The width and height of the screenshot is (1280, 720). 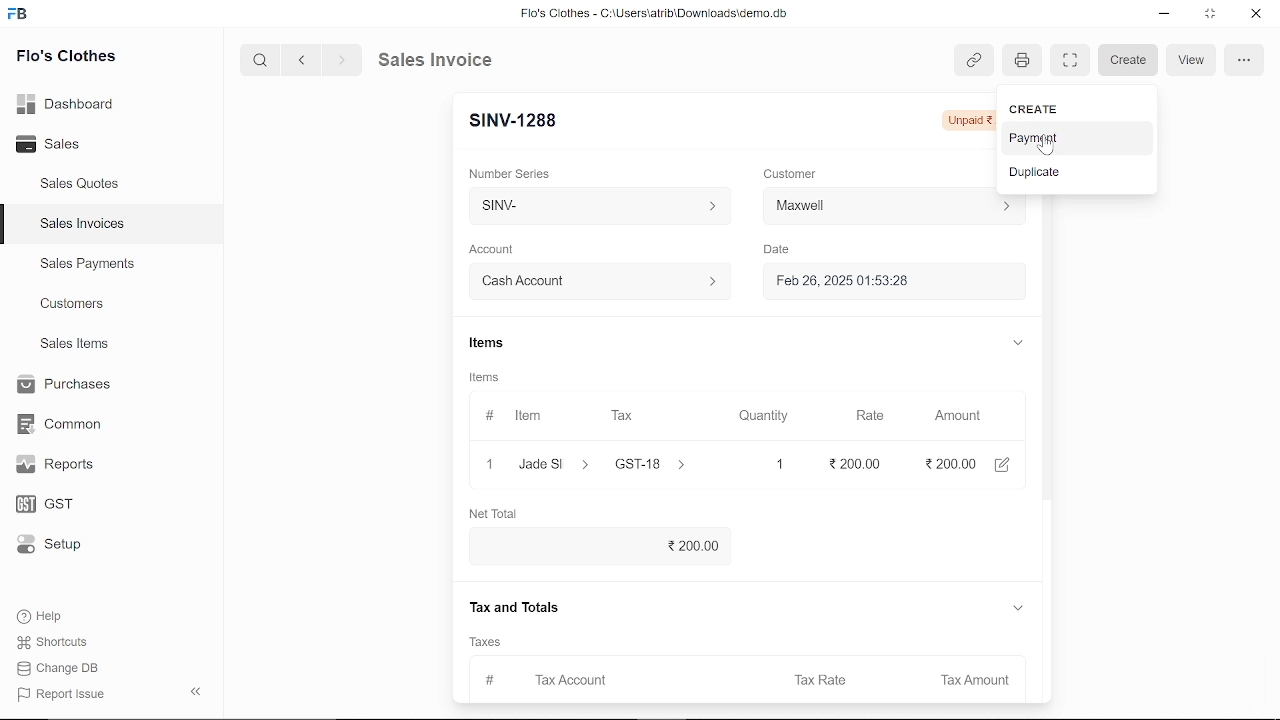 I want to click on hide, so click(x=197, y=689).